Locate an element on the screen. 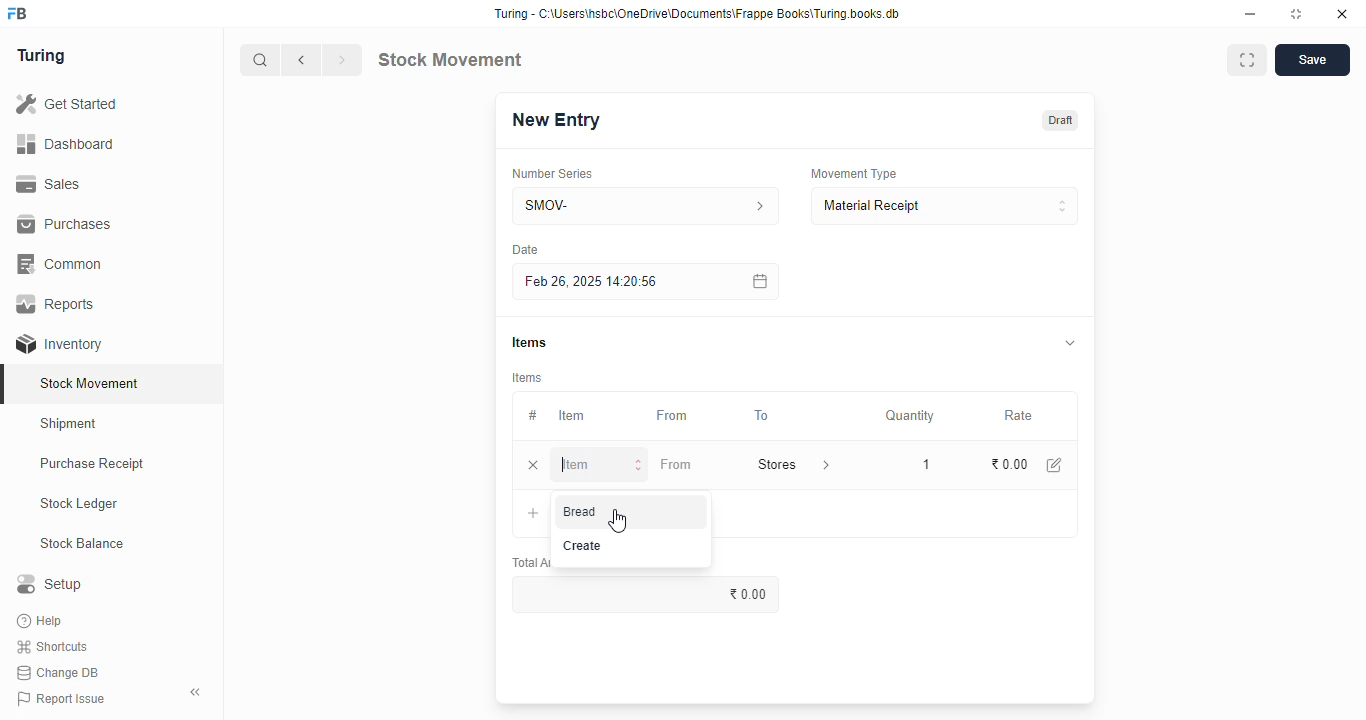 This screenshot has height=720, width=1366. create is located at coordinates (584, 546).